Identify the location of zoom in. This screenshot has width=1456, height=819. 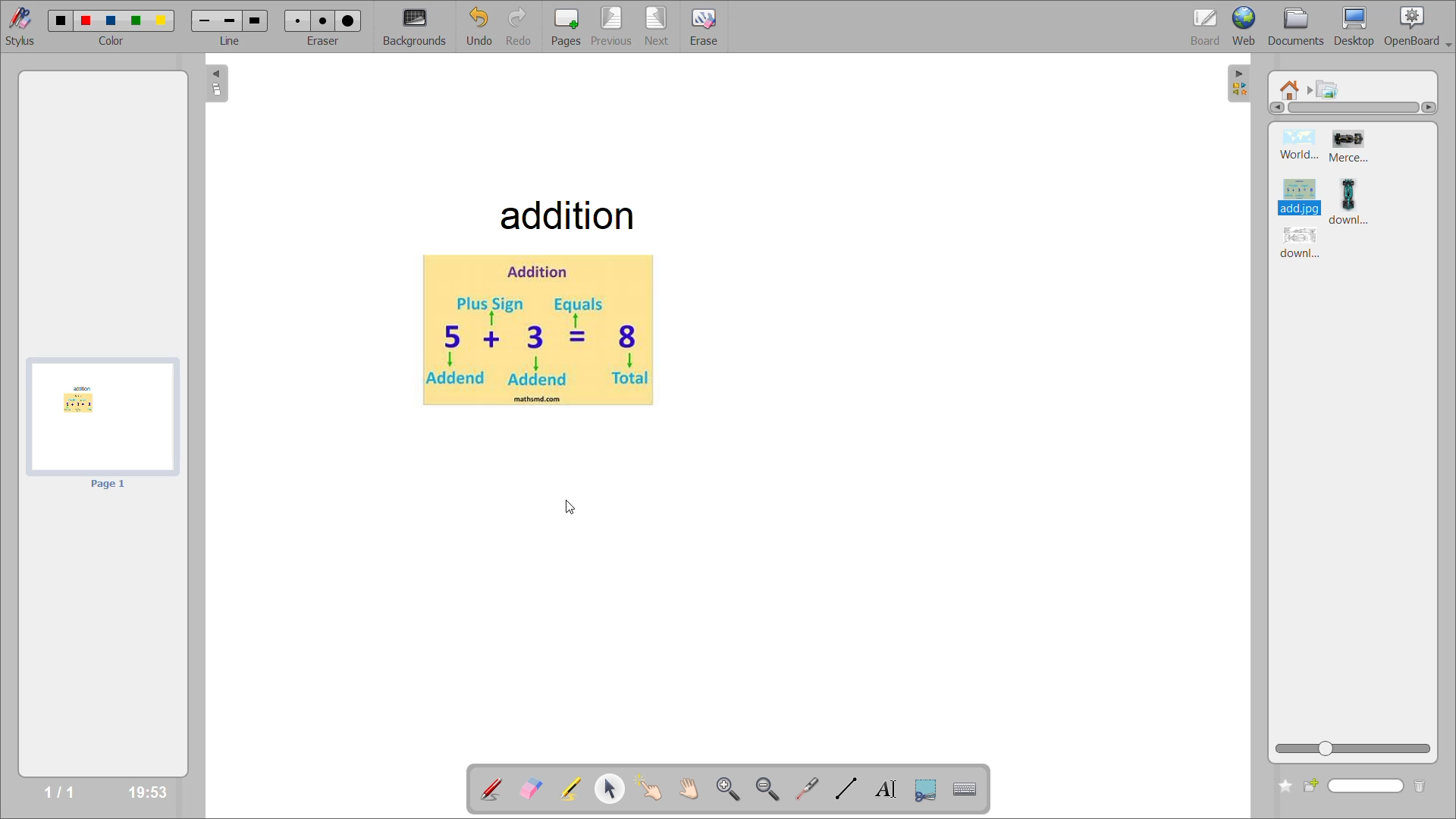
(729, 787).